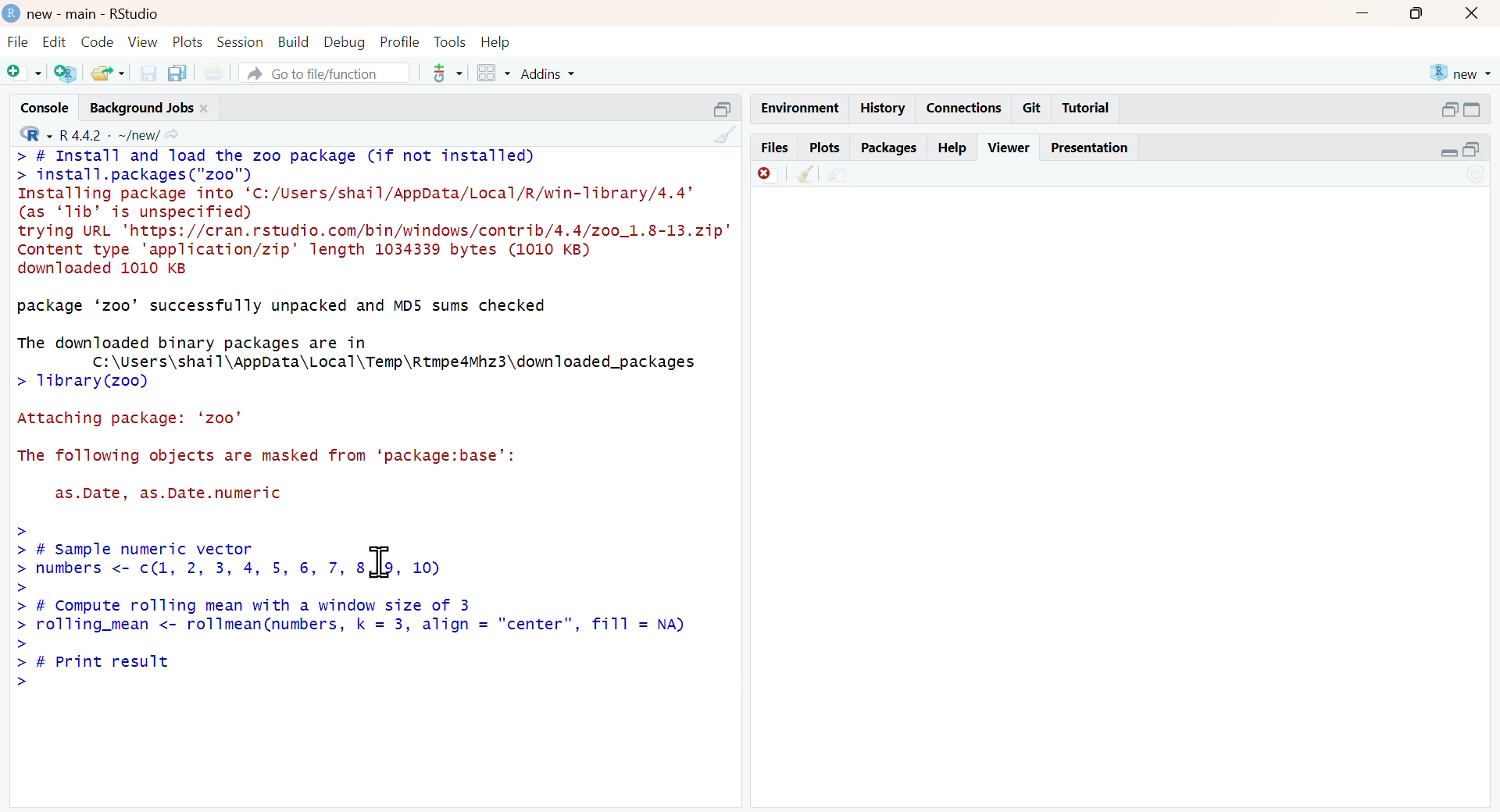 The image size is (1500, 812). What do you see at coordinates (880, 109) in the screenshot?
I see `history` at bounding box center [880, 109].